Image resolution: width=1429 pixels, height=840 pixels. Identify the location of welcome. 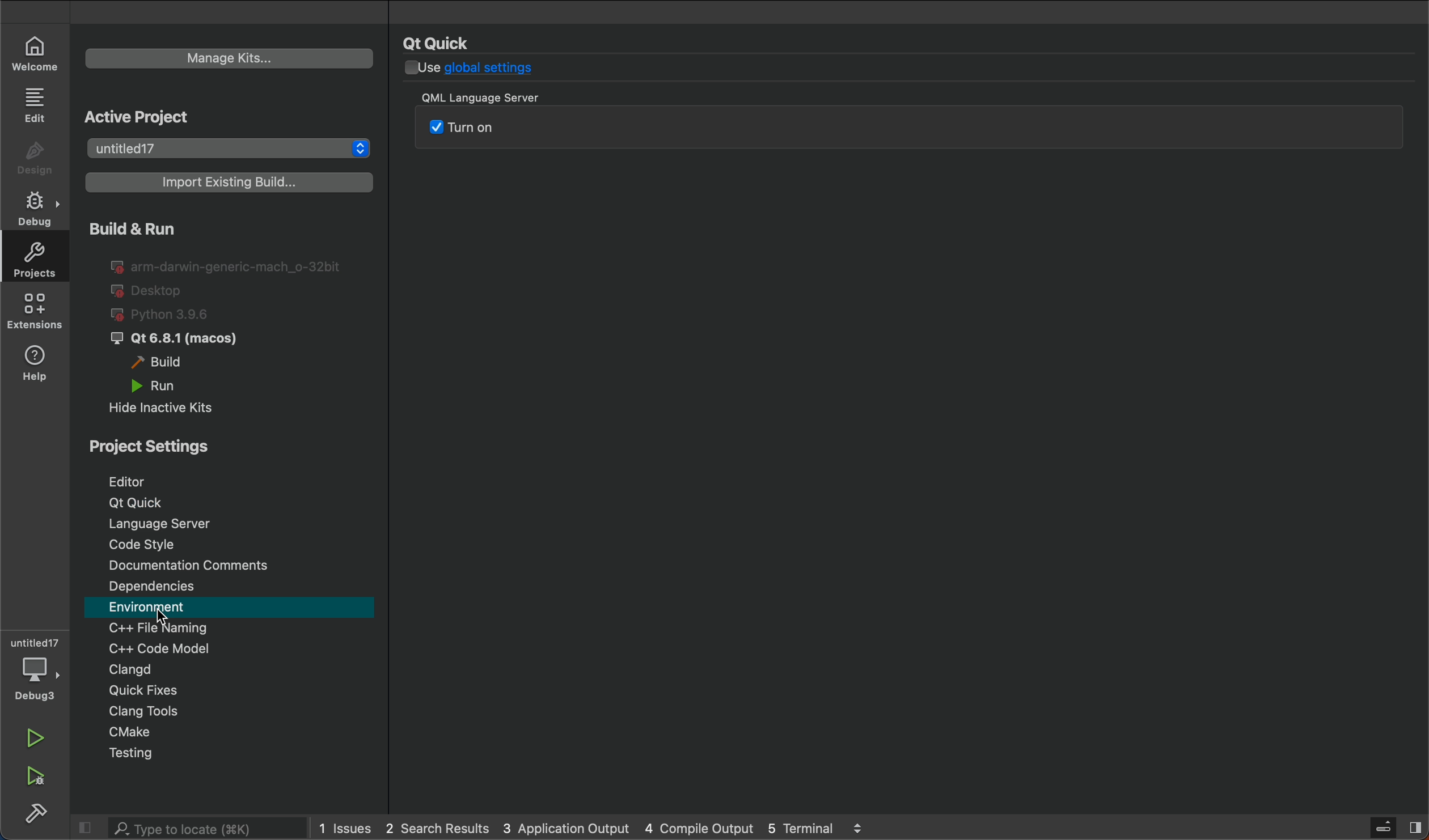
(36, 52).